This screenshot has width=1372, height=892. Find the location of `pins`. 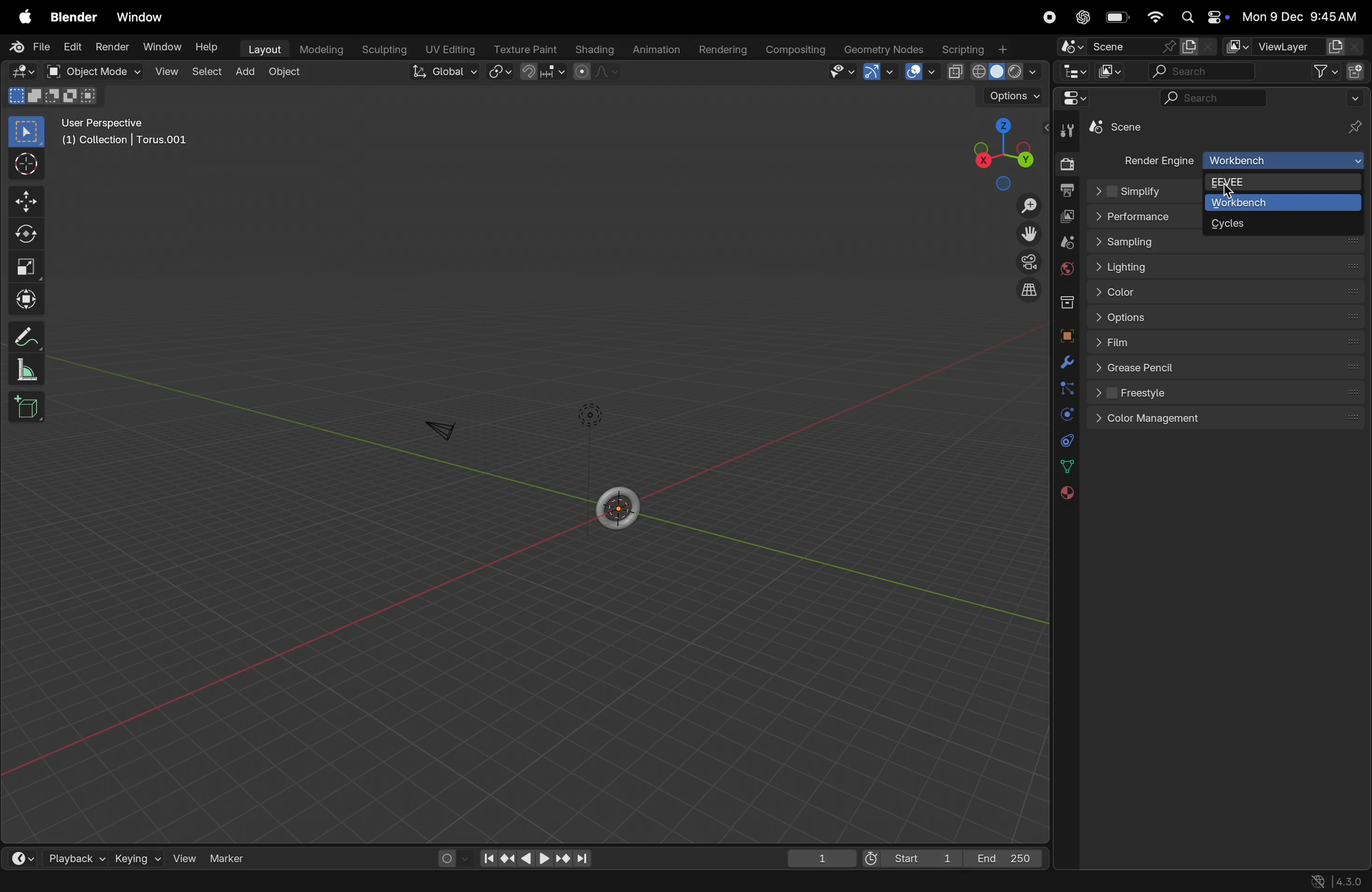

pins is located at coordinates (1356, 127).